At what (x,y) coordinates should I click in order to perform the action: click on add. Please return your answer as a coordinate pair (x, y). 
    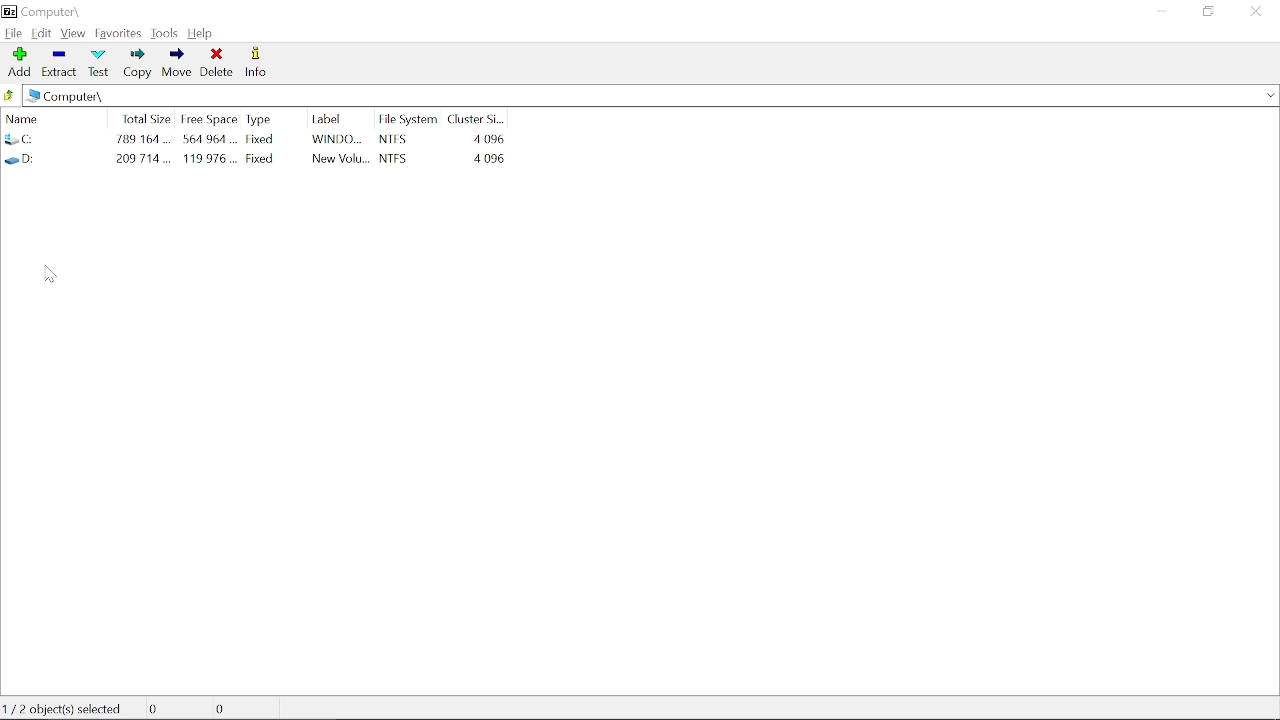
    Looking at the image, I should click on (18, 61).